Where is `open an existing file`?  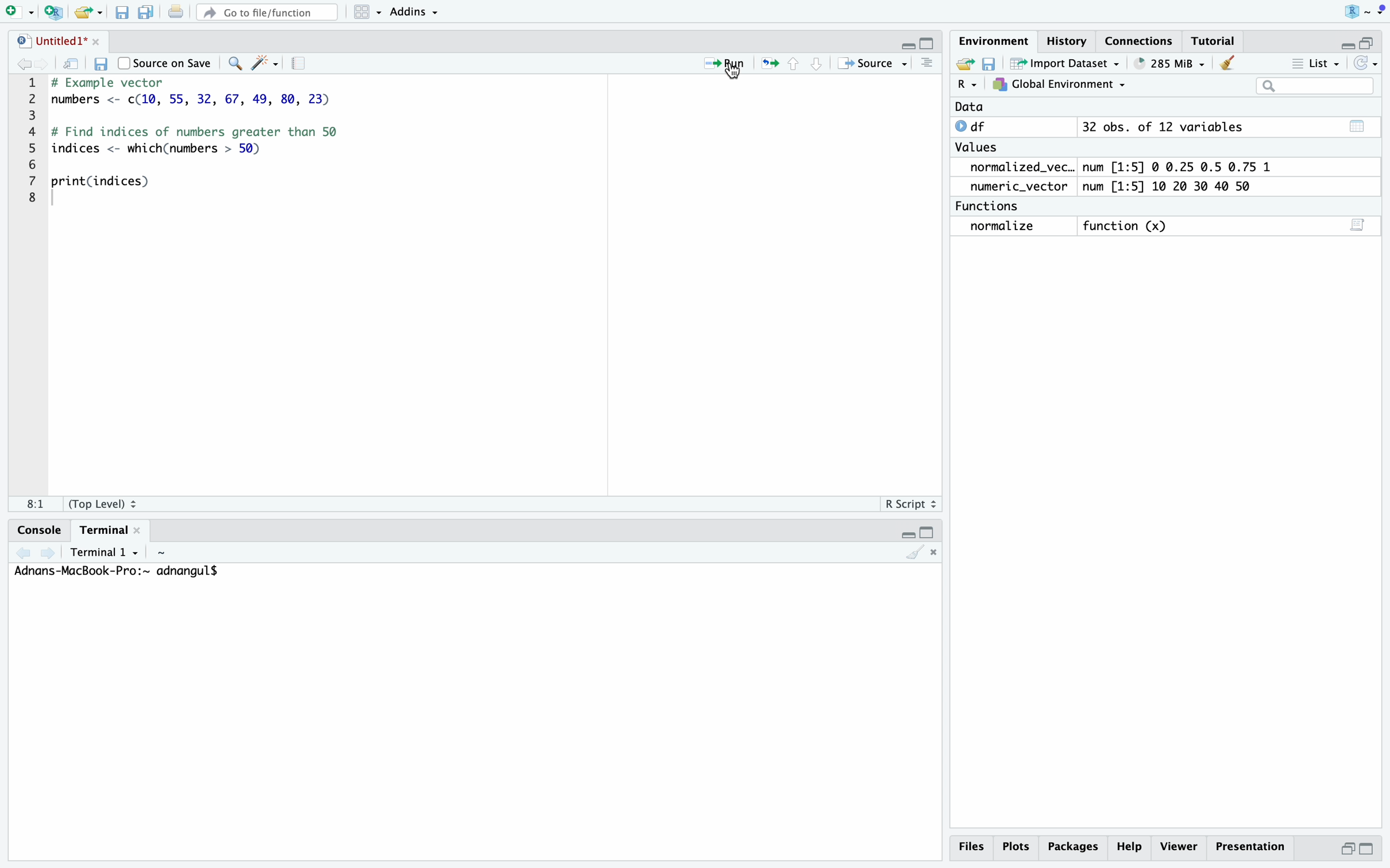
open an existing file is located at coordinates (87, 11).